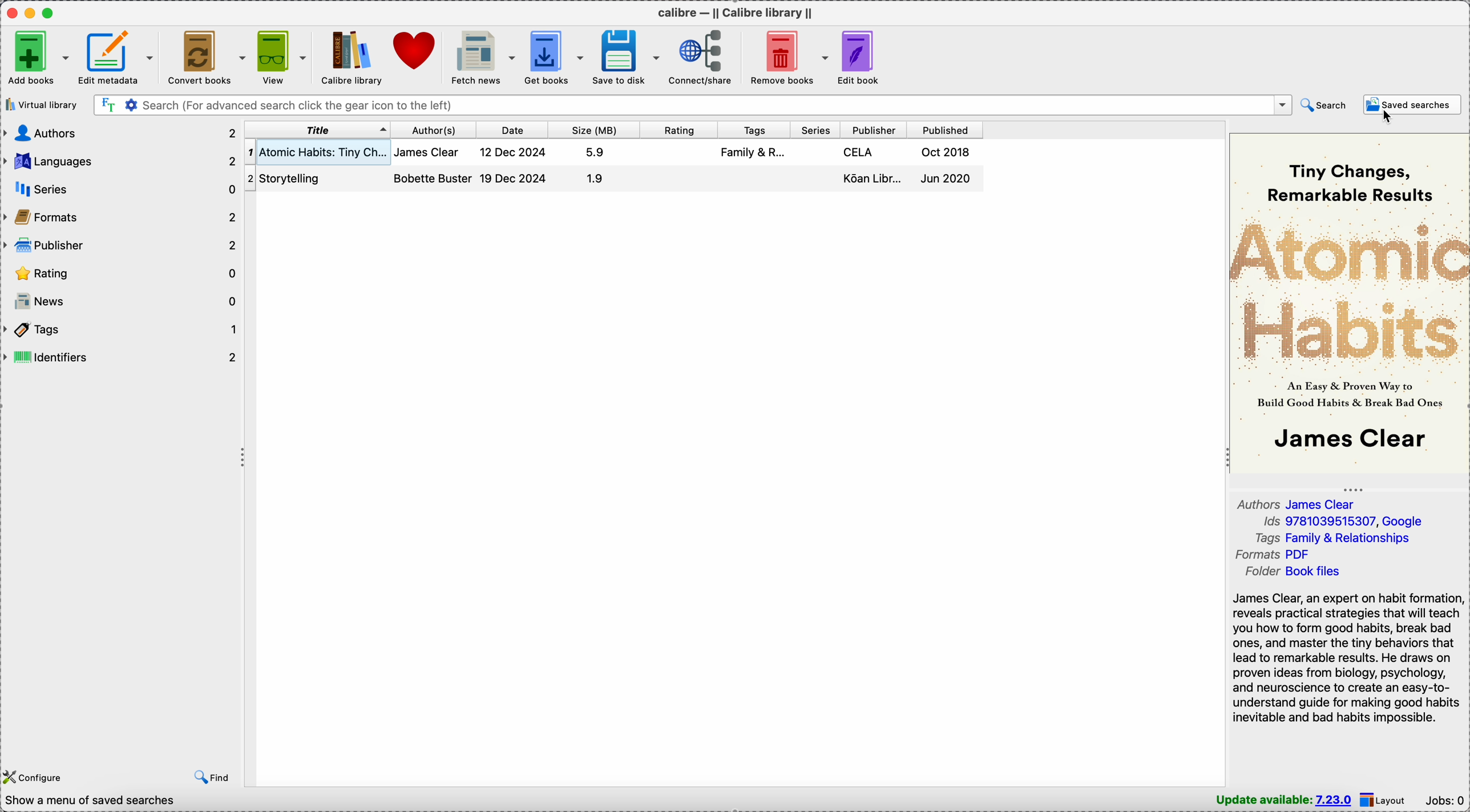  Describe the element at coordinates (316, 131) in the screenshot. I see `title` at that location.